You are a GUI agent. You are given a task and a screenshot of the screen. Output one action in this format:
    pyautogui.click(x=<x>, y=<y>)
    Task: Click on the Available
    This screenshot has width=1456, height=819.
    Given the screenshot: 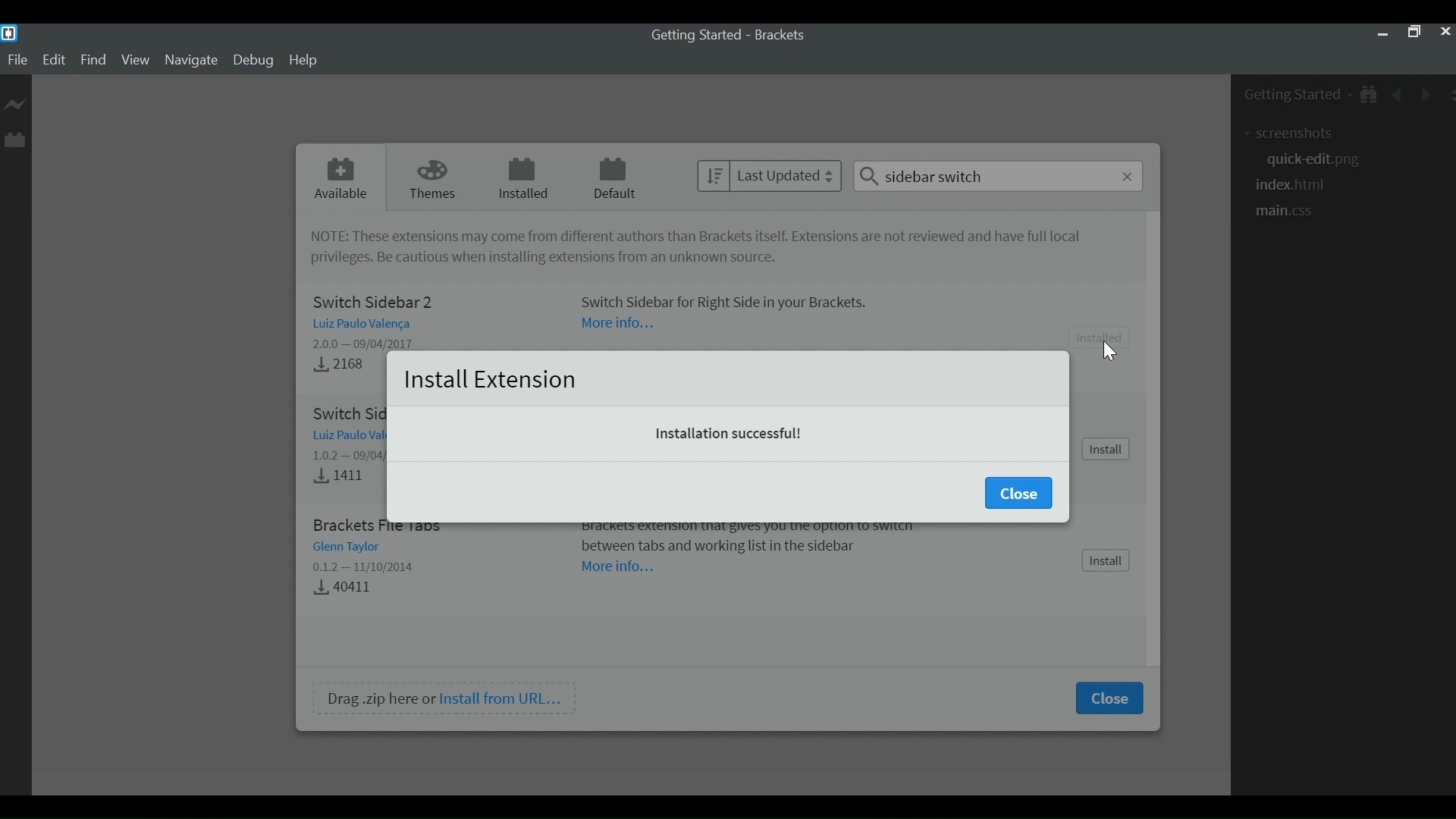 What is the action you would take?
    pyautogui.click(x=343, y=179)
    